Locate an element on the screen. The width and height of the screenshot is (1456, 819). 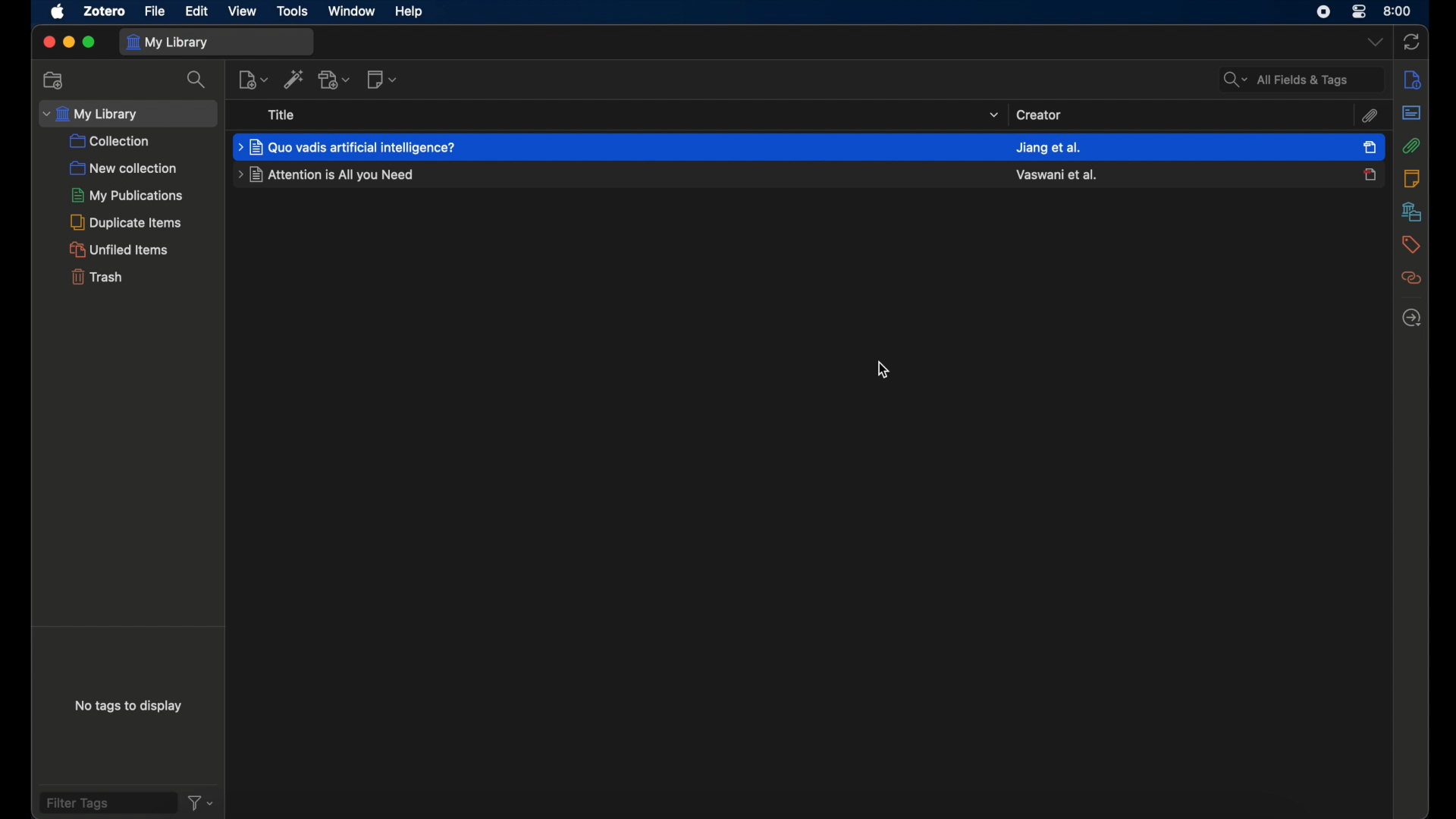
locate is located at coordinates (1411, 318).